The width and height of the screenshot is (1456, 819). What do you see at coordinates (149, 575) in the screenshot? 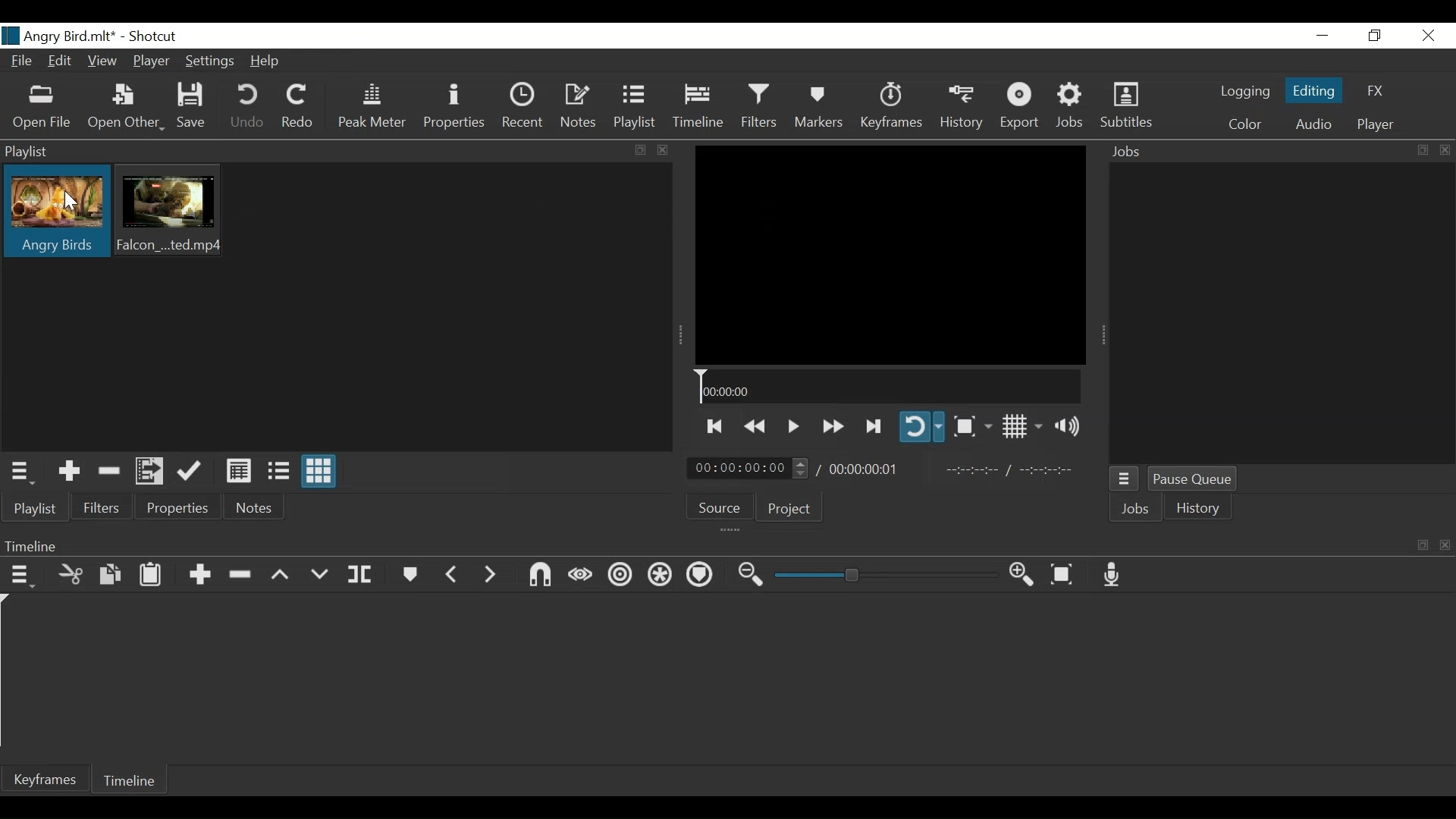
I see `Paste` at bounding box center [149, 575].